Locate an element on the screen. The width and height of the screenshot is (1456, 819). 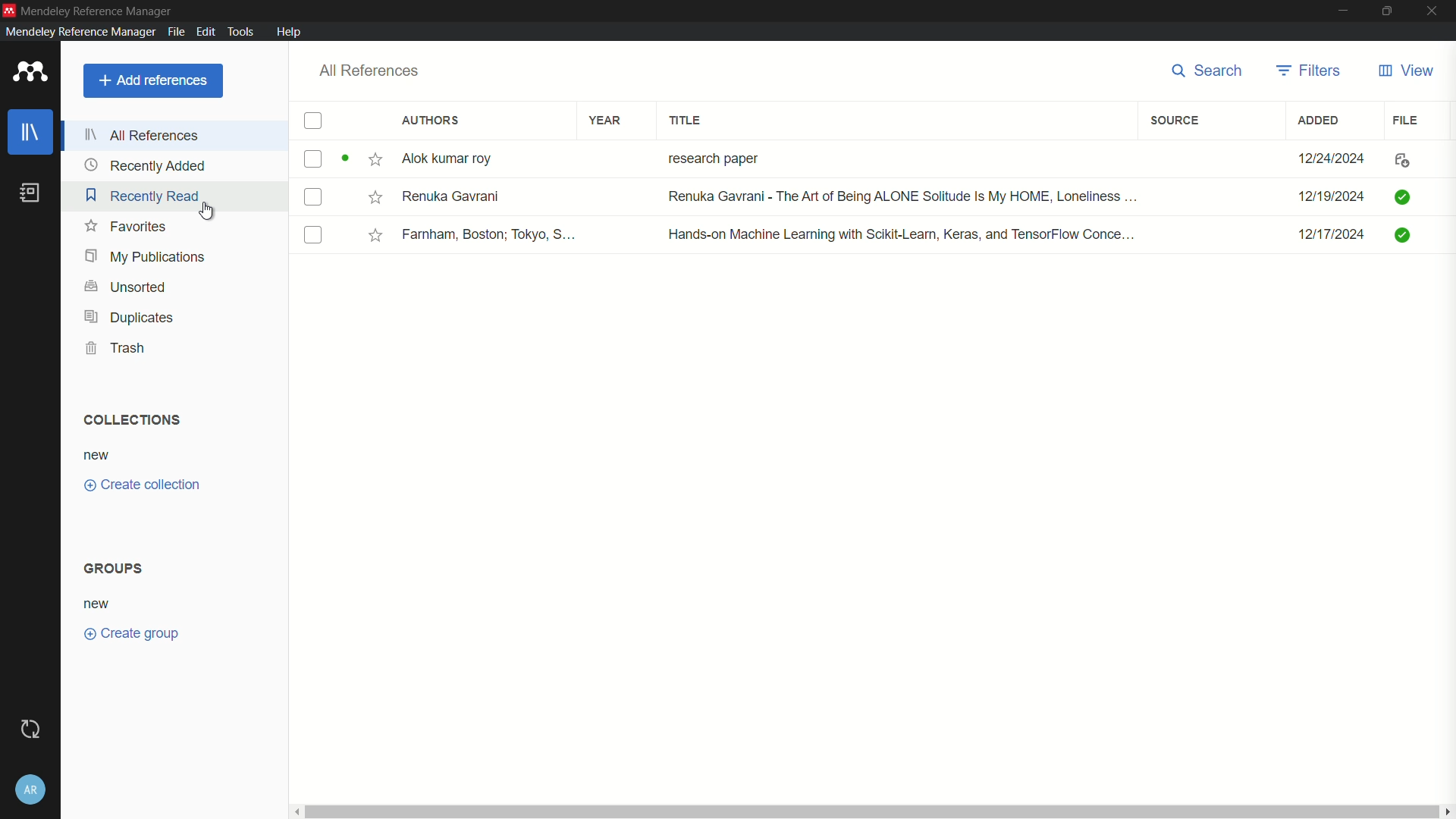
title is located at coordinates (686, 121).